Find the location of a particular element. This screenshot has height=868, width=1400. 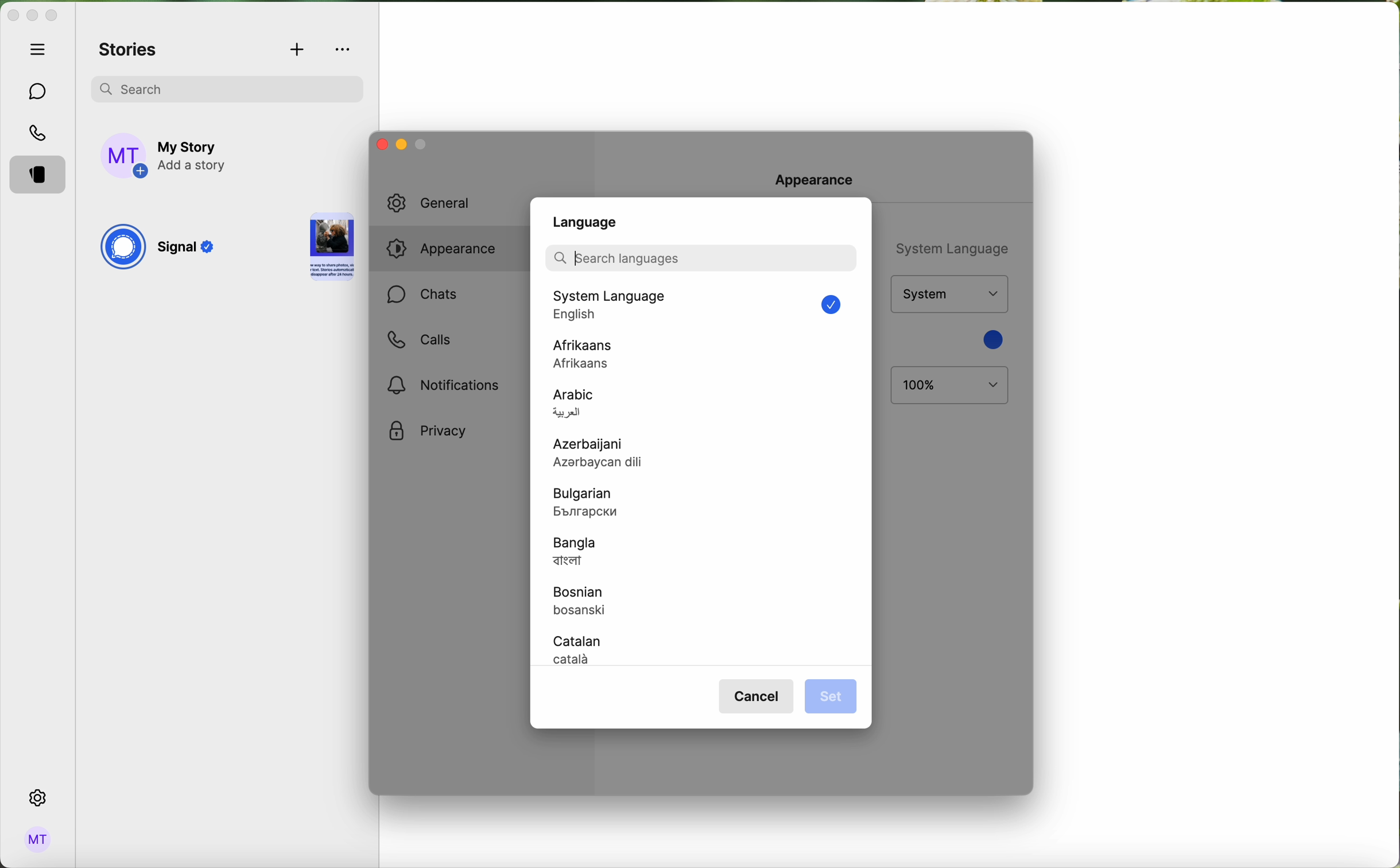

more options is located at coordinates (344, 49).